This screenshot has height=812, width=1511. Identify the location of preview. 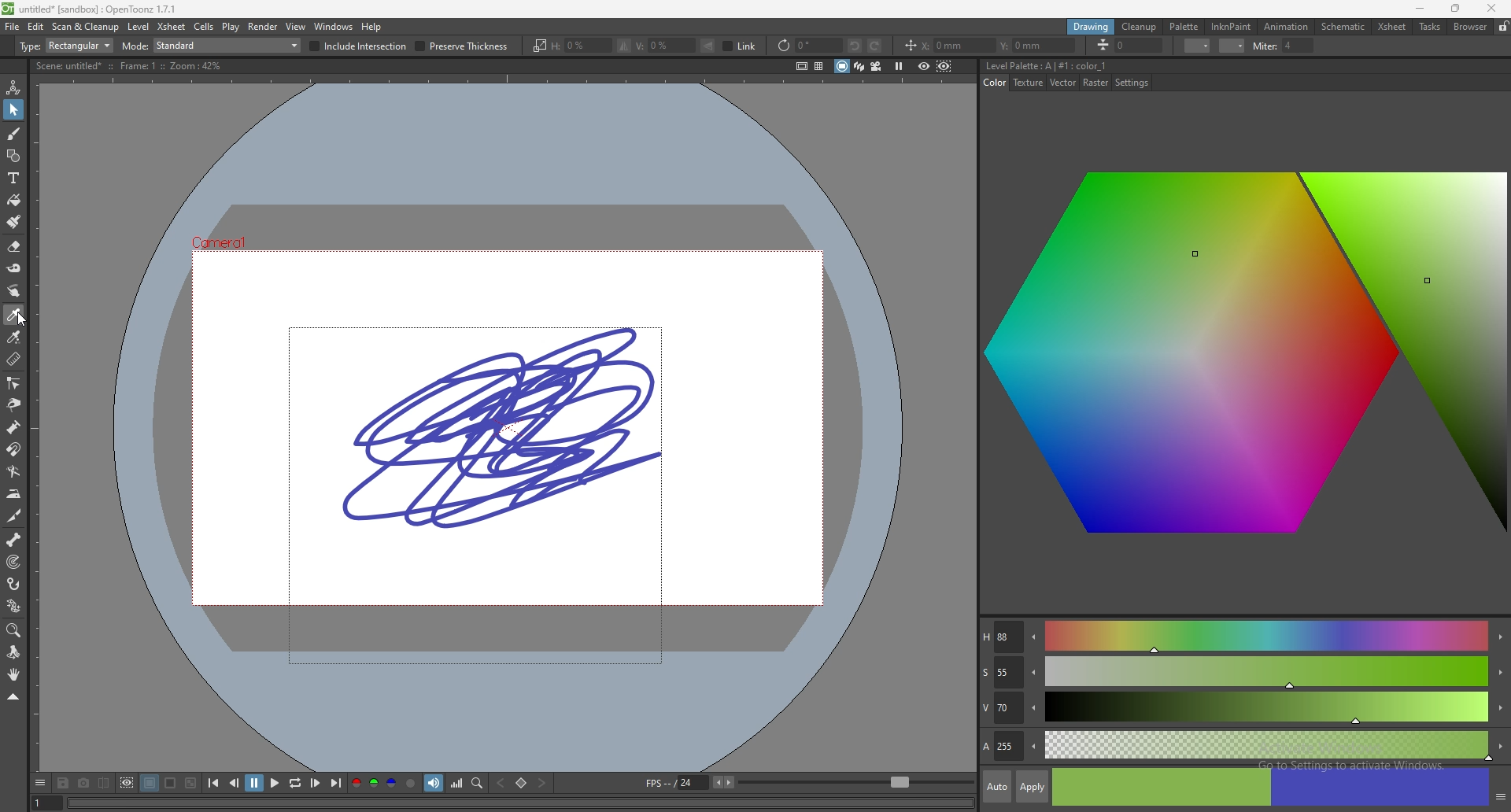
(924, 65).